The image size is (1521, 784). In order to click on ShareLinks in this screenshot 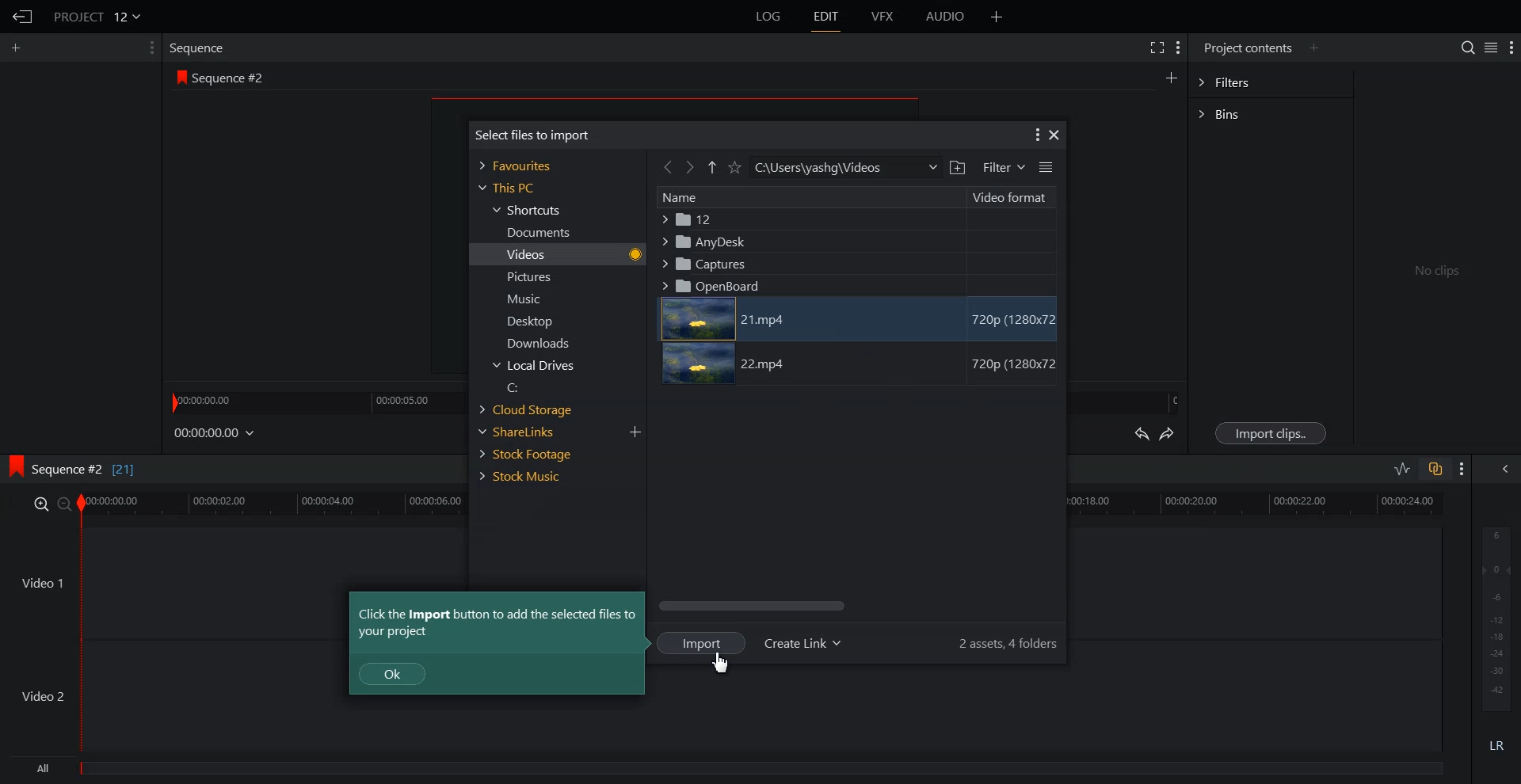, I will do `click(533, 432)`.